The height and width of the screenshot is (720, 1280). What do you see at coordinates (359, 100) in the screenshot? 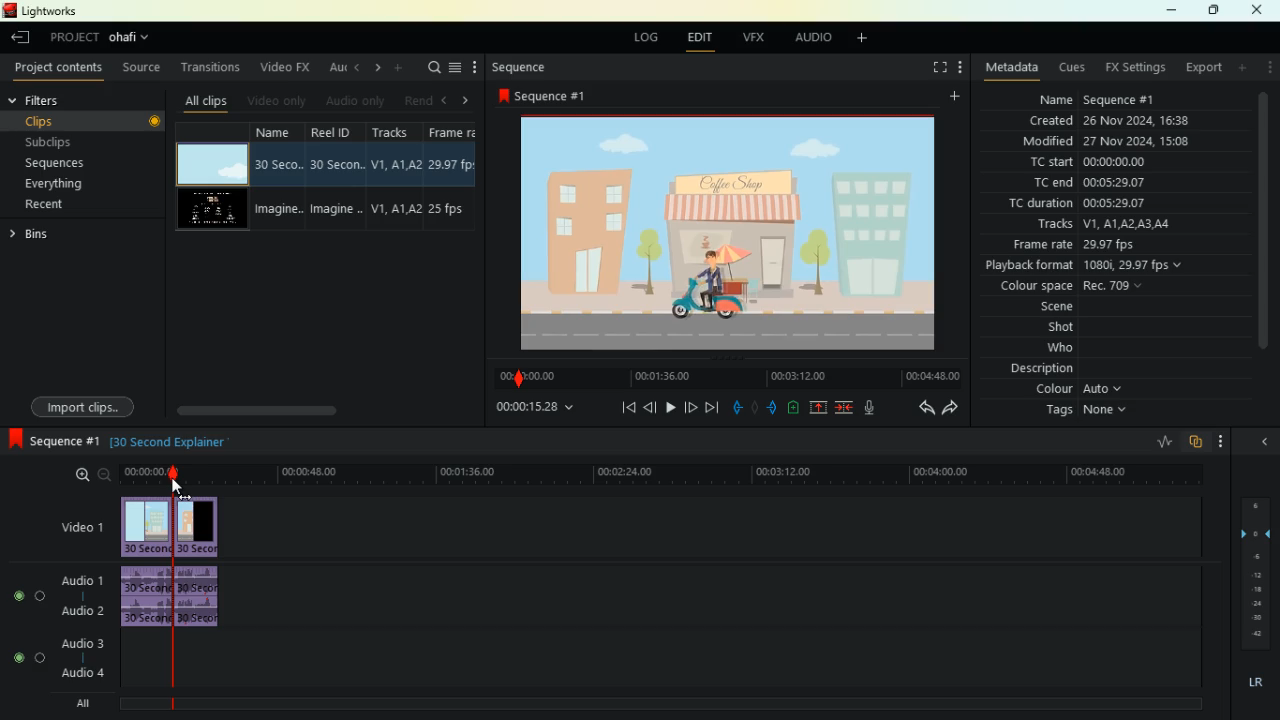
I see `audio only` at bounding box center [359, 100].